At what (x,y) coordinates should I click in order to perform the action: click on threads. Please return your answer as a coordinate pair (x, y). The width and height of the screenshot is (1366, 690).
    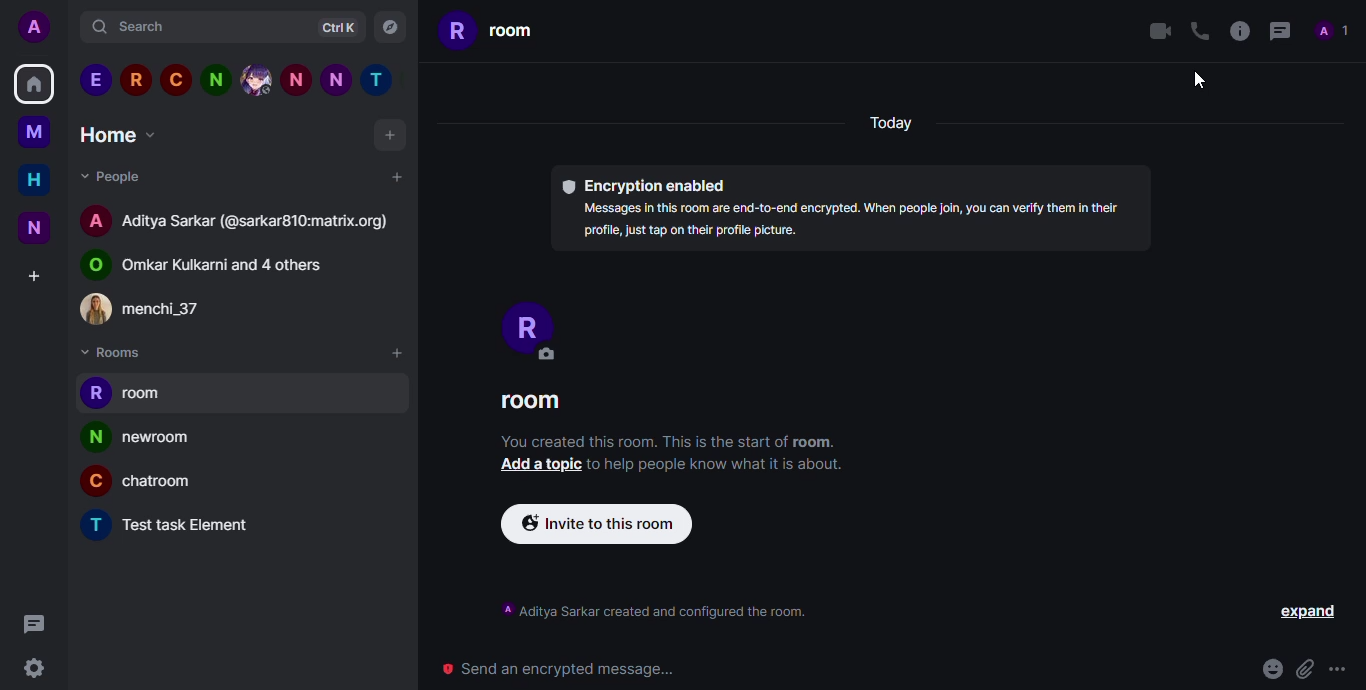
    Looking at the image, I should click on (1281, 32).